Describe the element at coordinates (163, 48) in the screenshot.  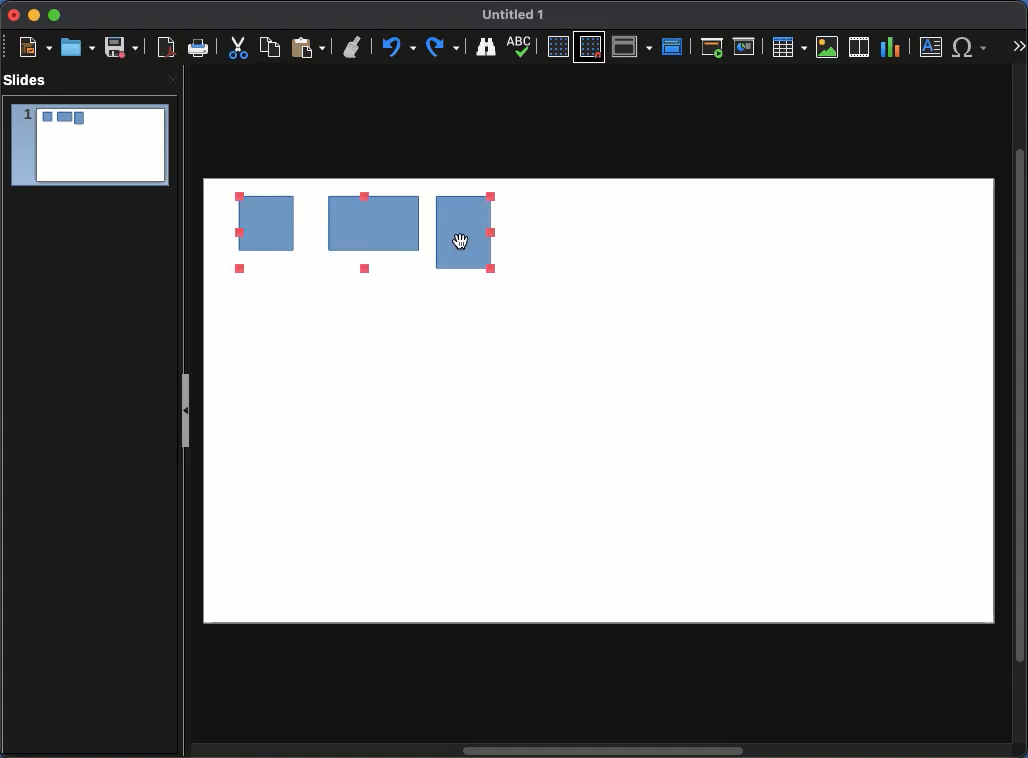
I see `Export directly as PDF` at that location.